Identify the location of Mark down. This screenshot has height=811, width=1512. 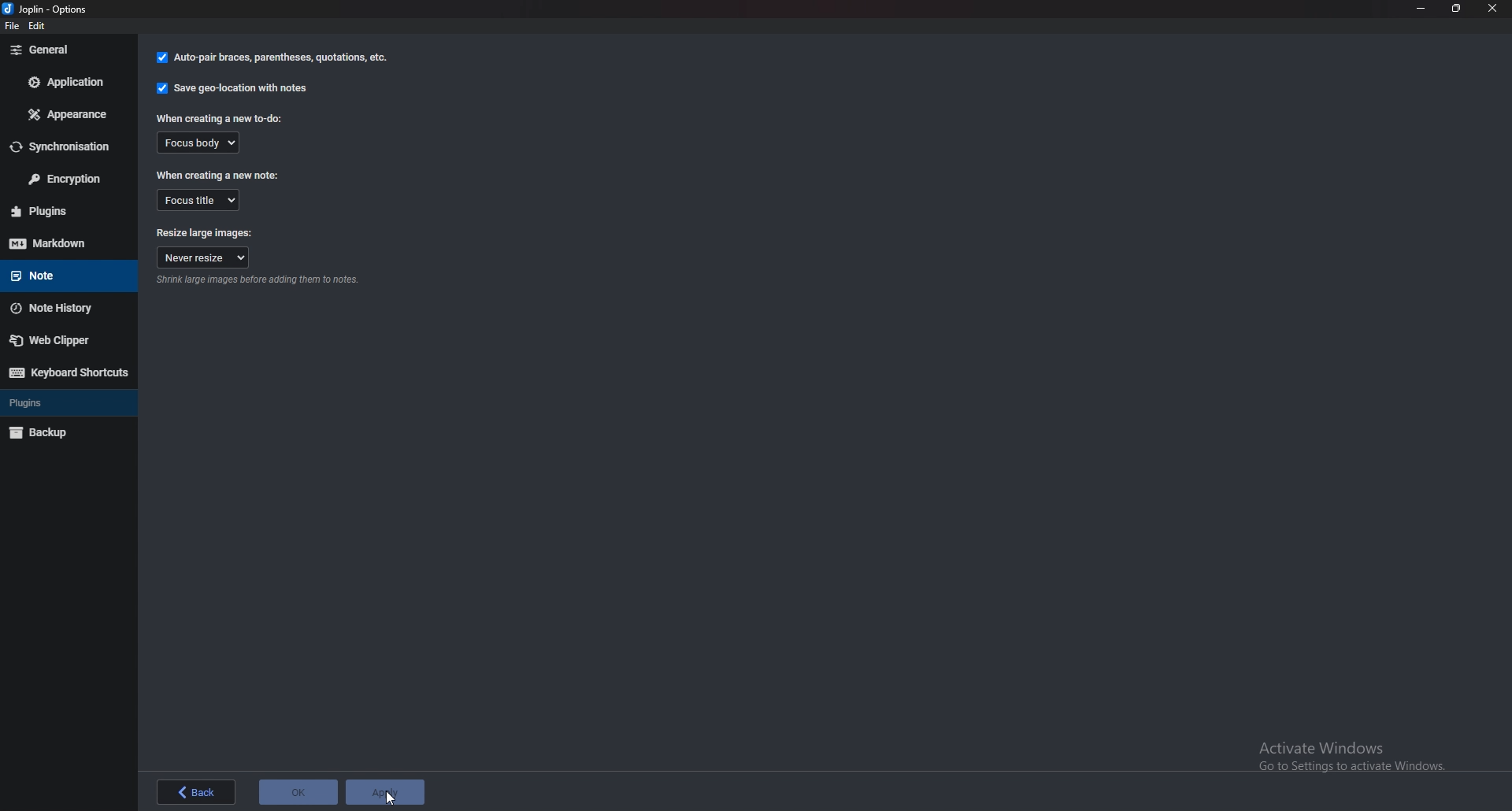
(67, 243).